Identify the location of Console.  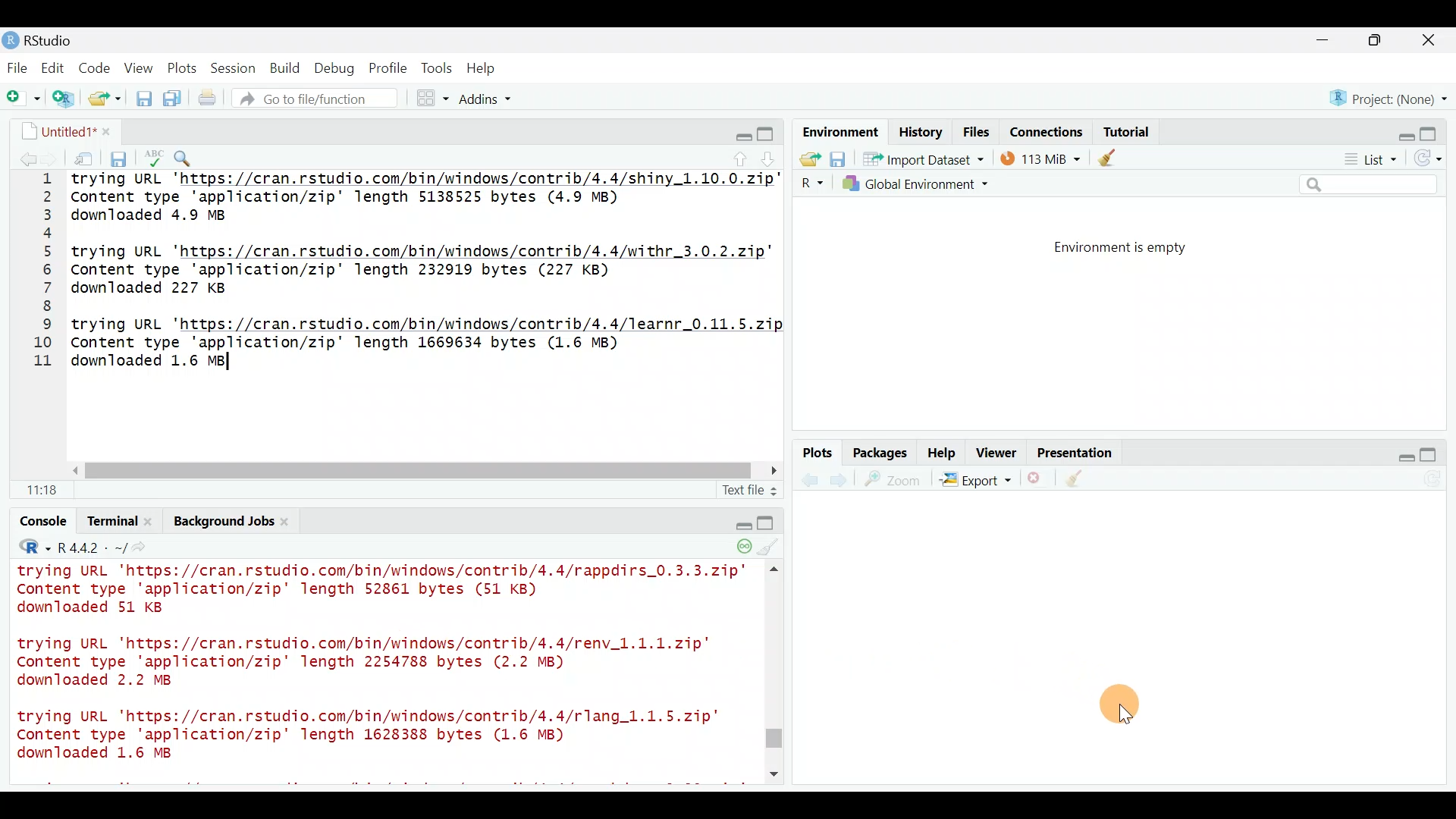
(42, 523).